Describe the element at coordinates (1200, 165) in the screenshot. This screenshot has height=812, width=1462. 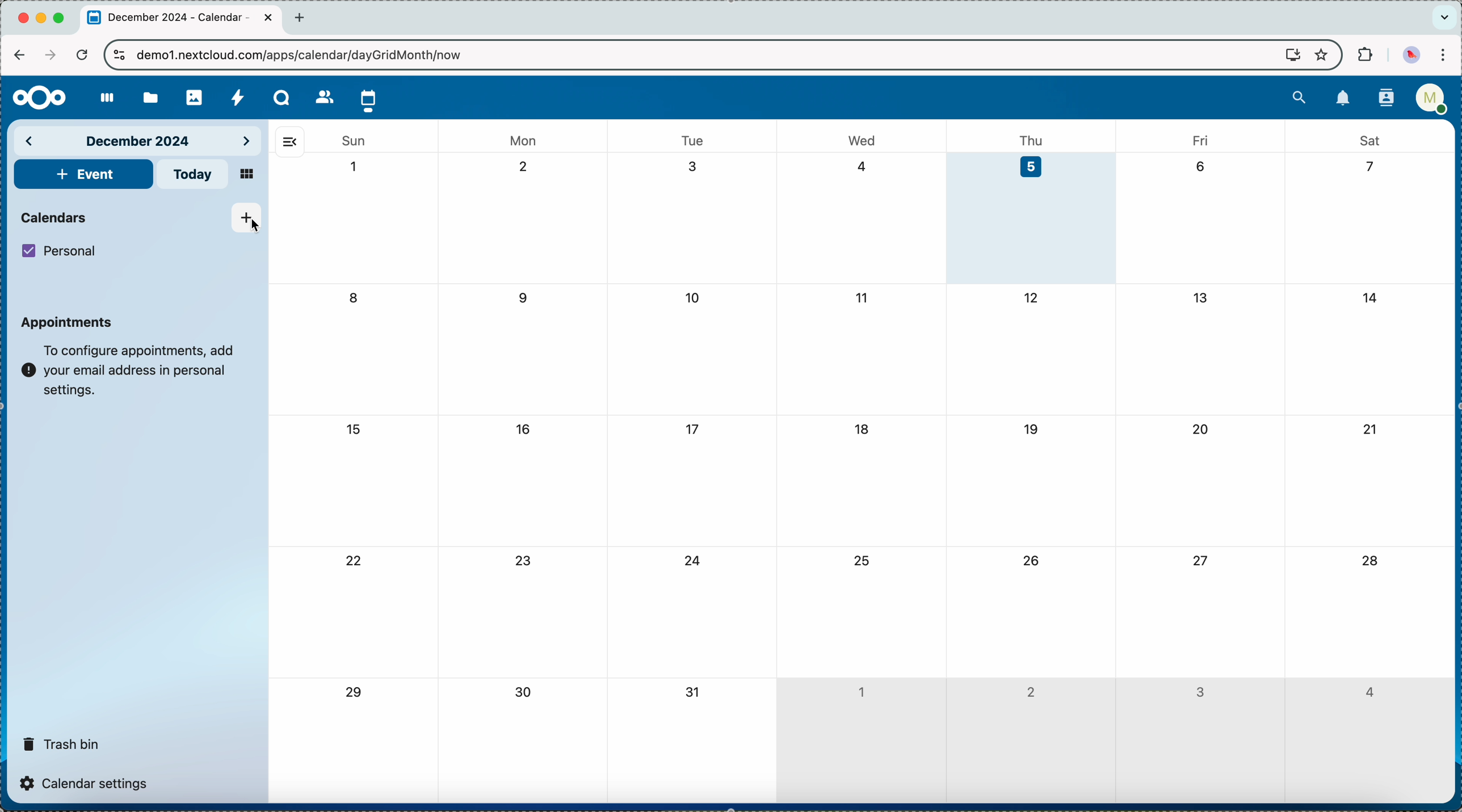
I see `6` at that location.